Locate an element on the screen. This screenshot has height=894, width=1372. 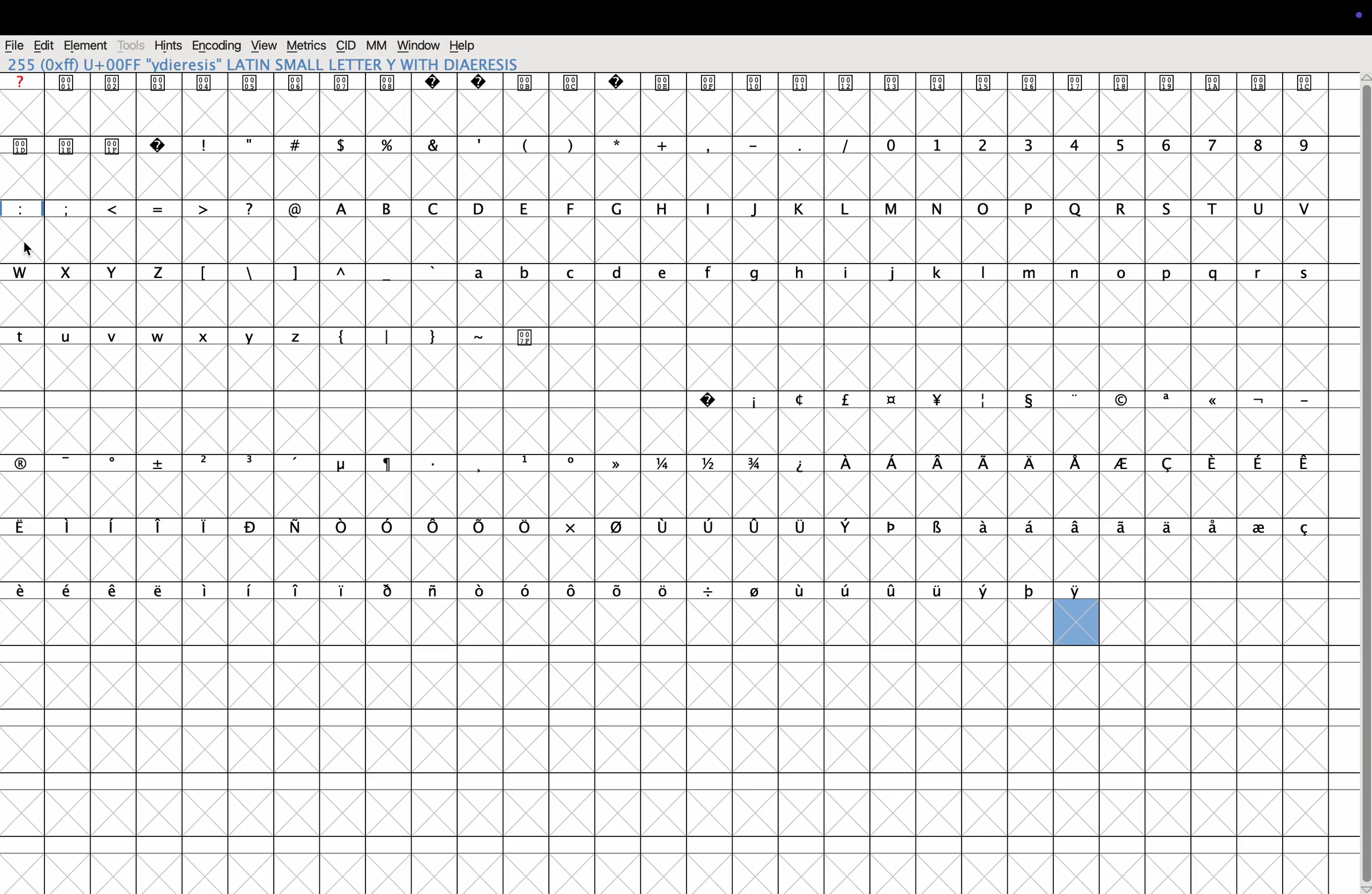
! is located at coordinates (205, 167).